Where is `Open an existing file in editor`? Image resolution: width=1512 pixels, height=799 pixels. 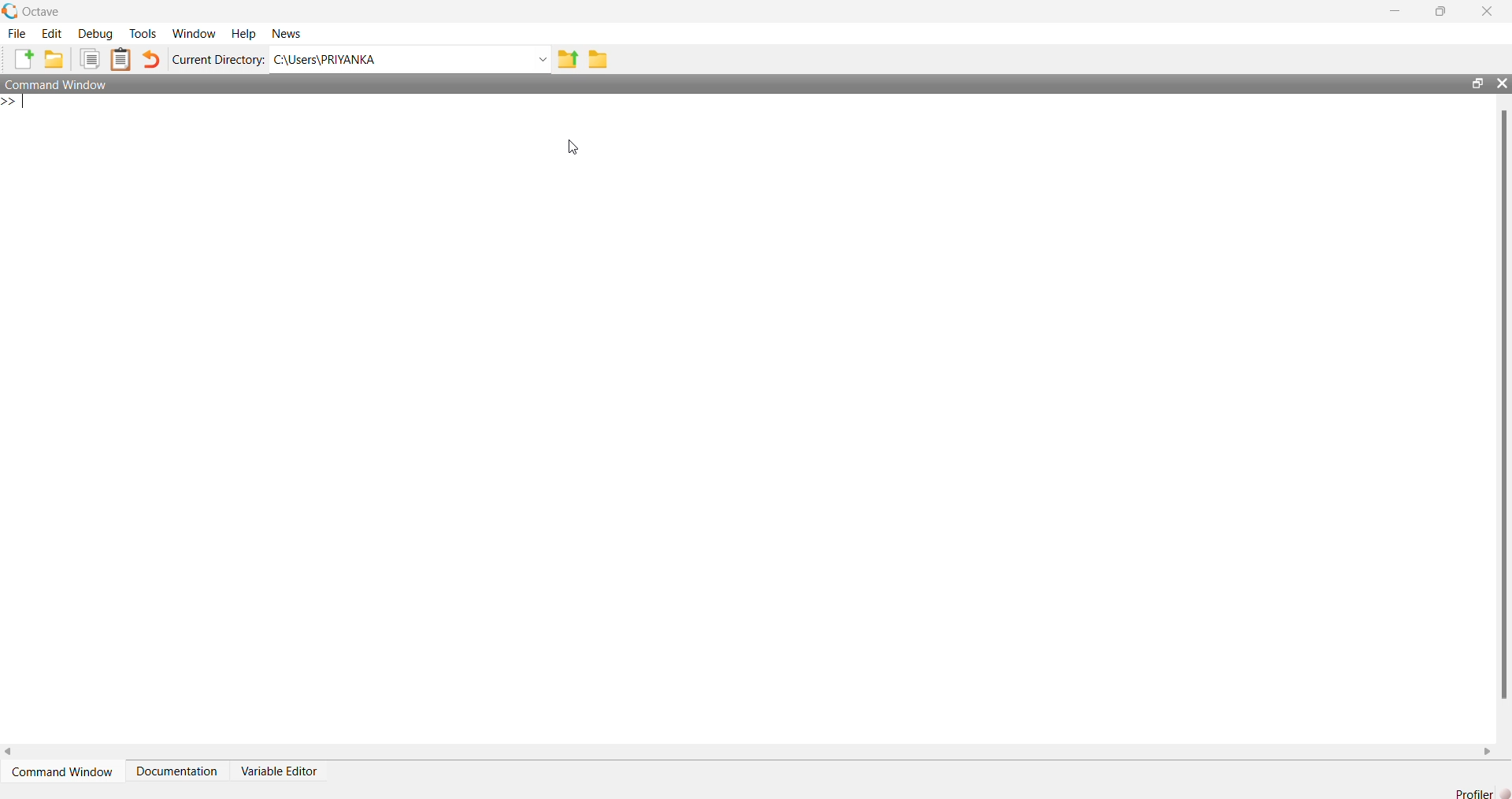 Open an existing file in editor is located at coordinates (54, 59).